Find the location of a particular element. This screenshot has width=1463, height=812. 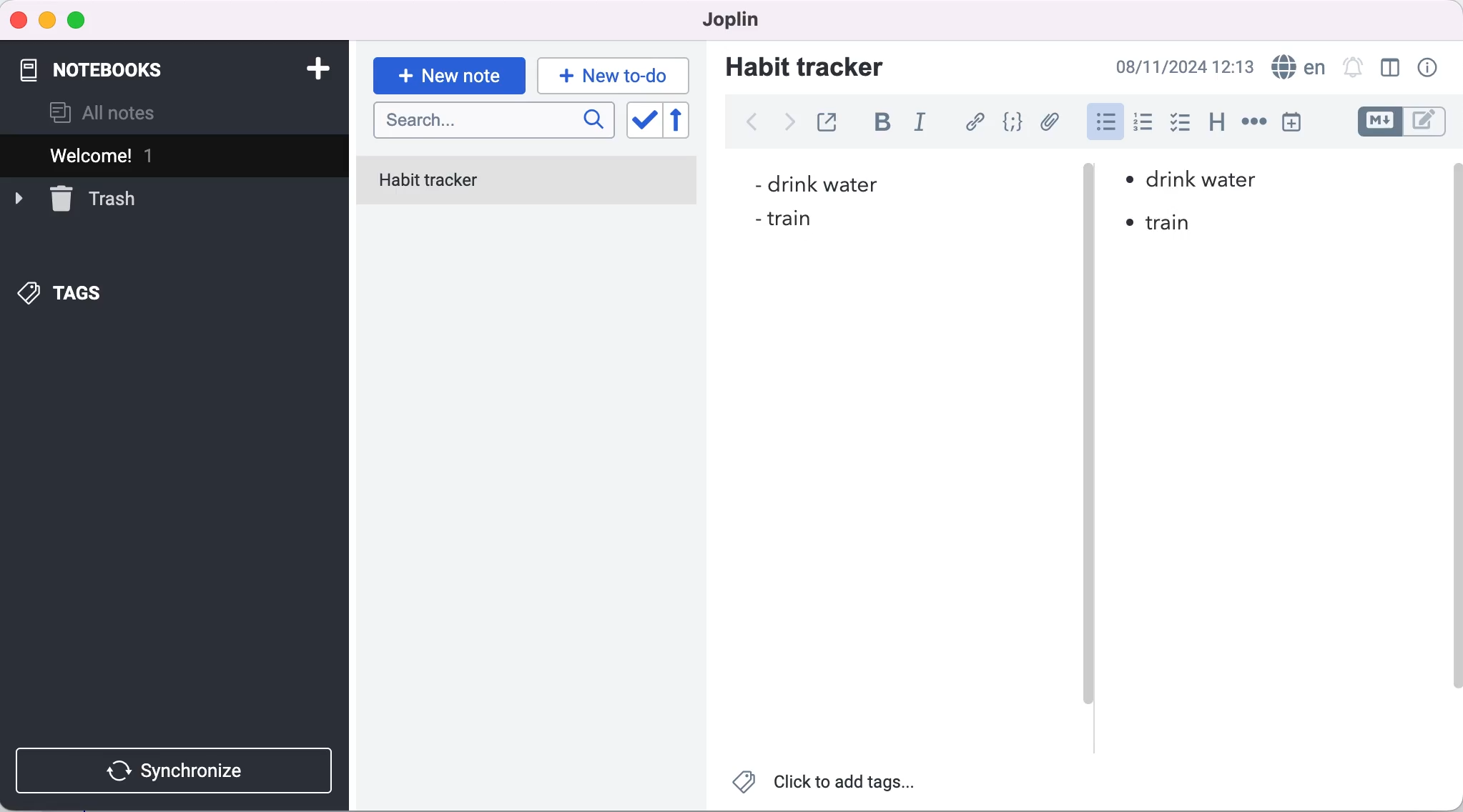

click to add tags is located at coordinates (826, 786).